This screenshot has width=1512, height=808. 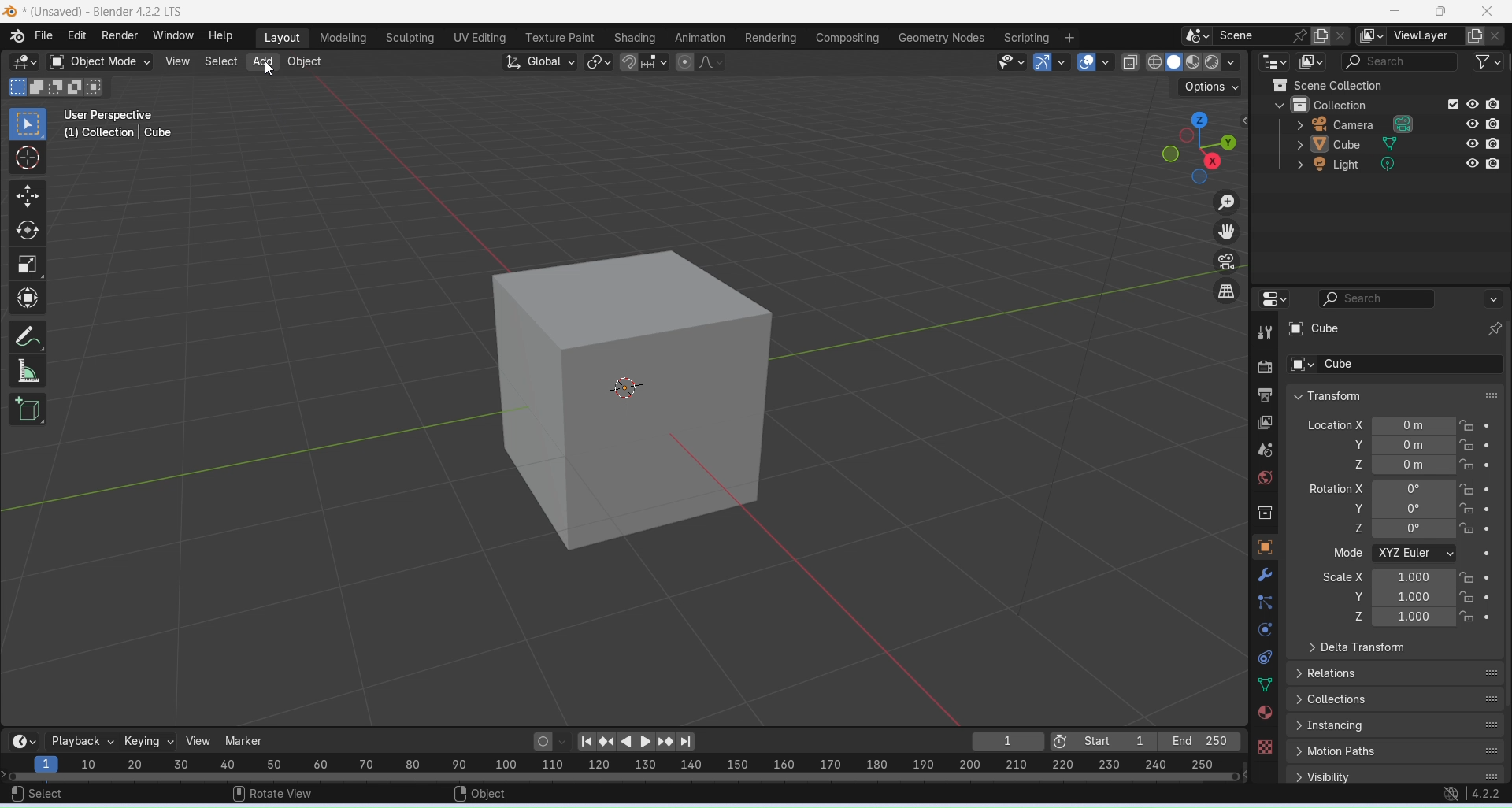 What do you see at coordinates (1343, 576) in the screenshot?
I see `Scale  X` at bounding box center [1343, 576].